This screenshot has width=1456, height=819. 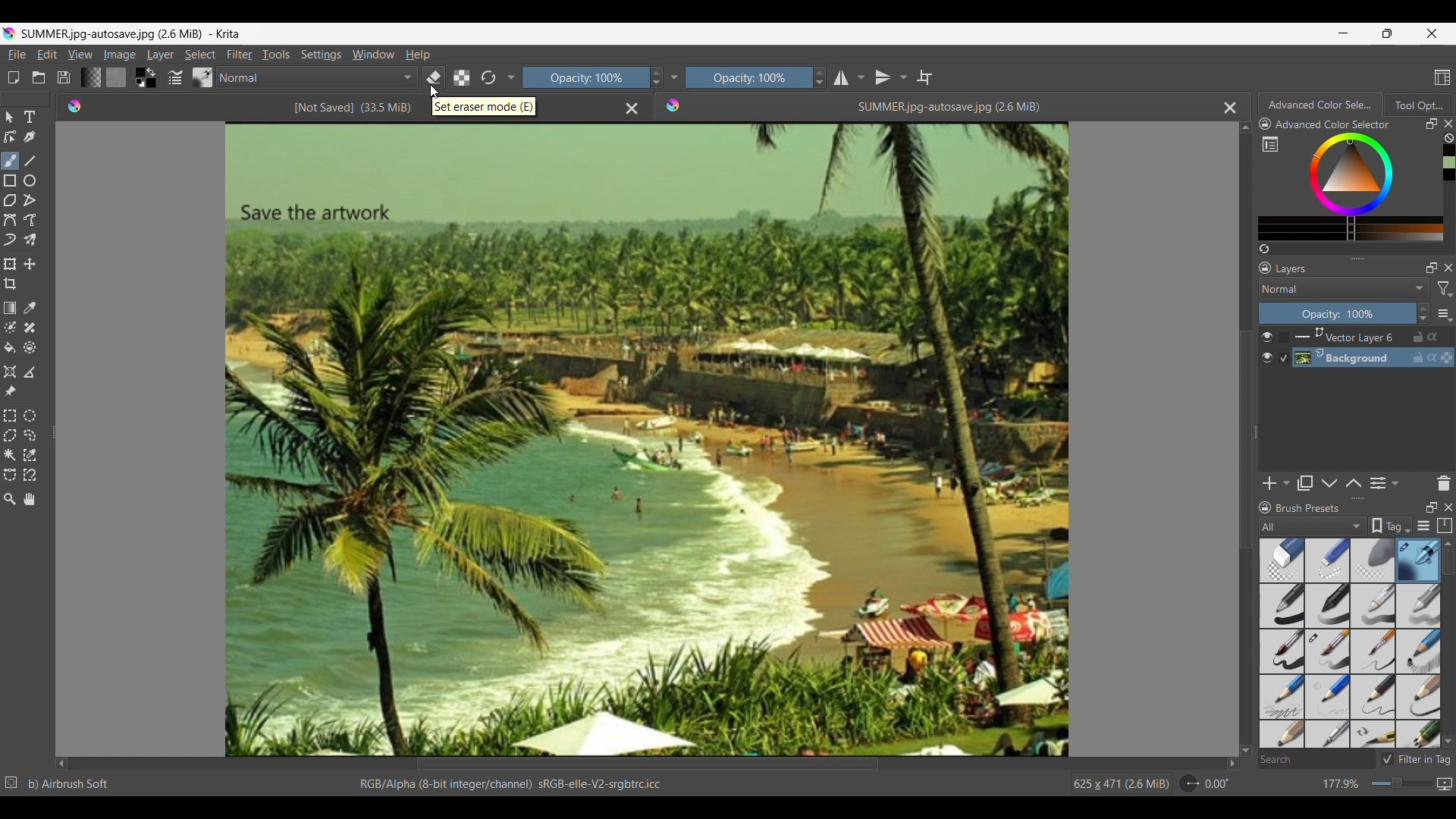 I want to click on Preserve alpha, so click(x=462, y=77).